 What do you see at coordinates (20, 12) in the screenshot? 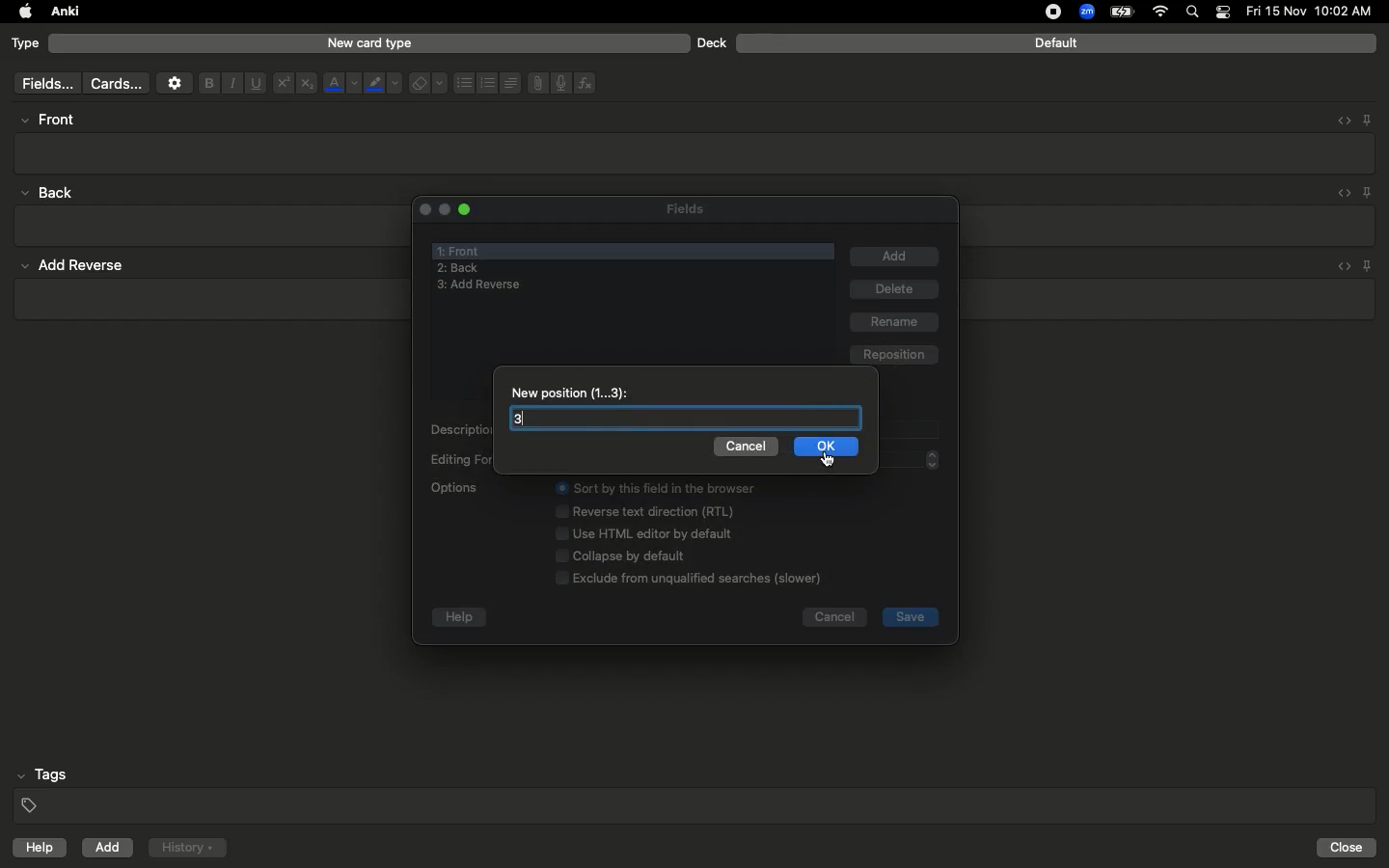
I see `apple logo` at bounding box center [20, 12].